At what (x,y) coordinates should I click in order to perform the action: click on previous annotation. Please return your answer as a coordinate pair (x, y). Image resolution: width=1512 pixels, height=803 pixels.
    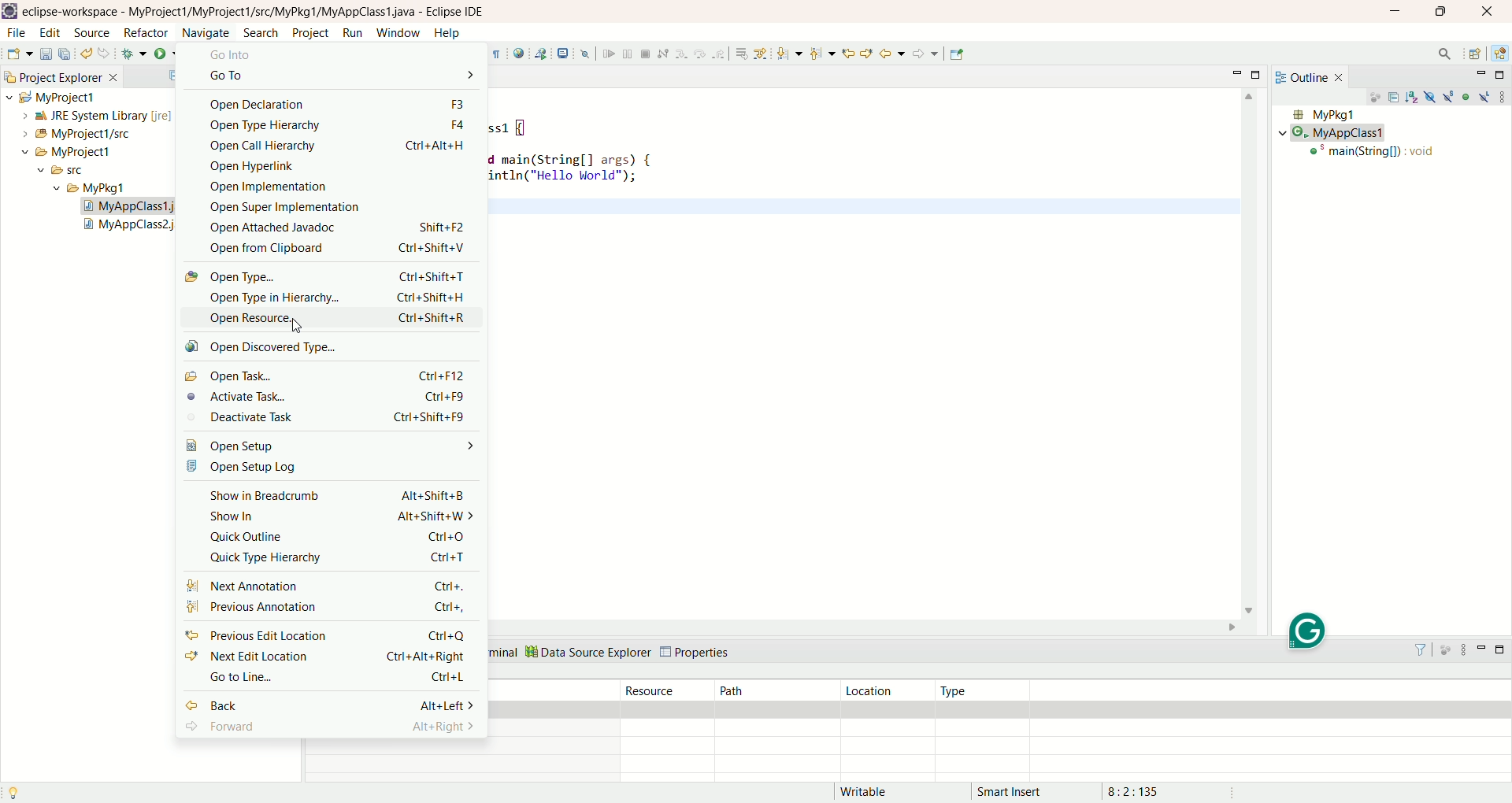
    Looking at the image, I should click on (328, 608).